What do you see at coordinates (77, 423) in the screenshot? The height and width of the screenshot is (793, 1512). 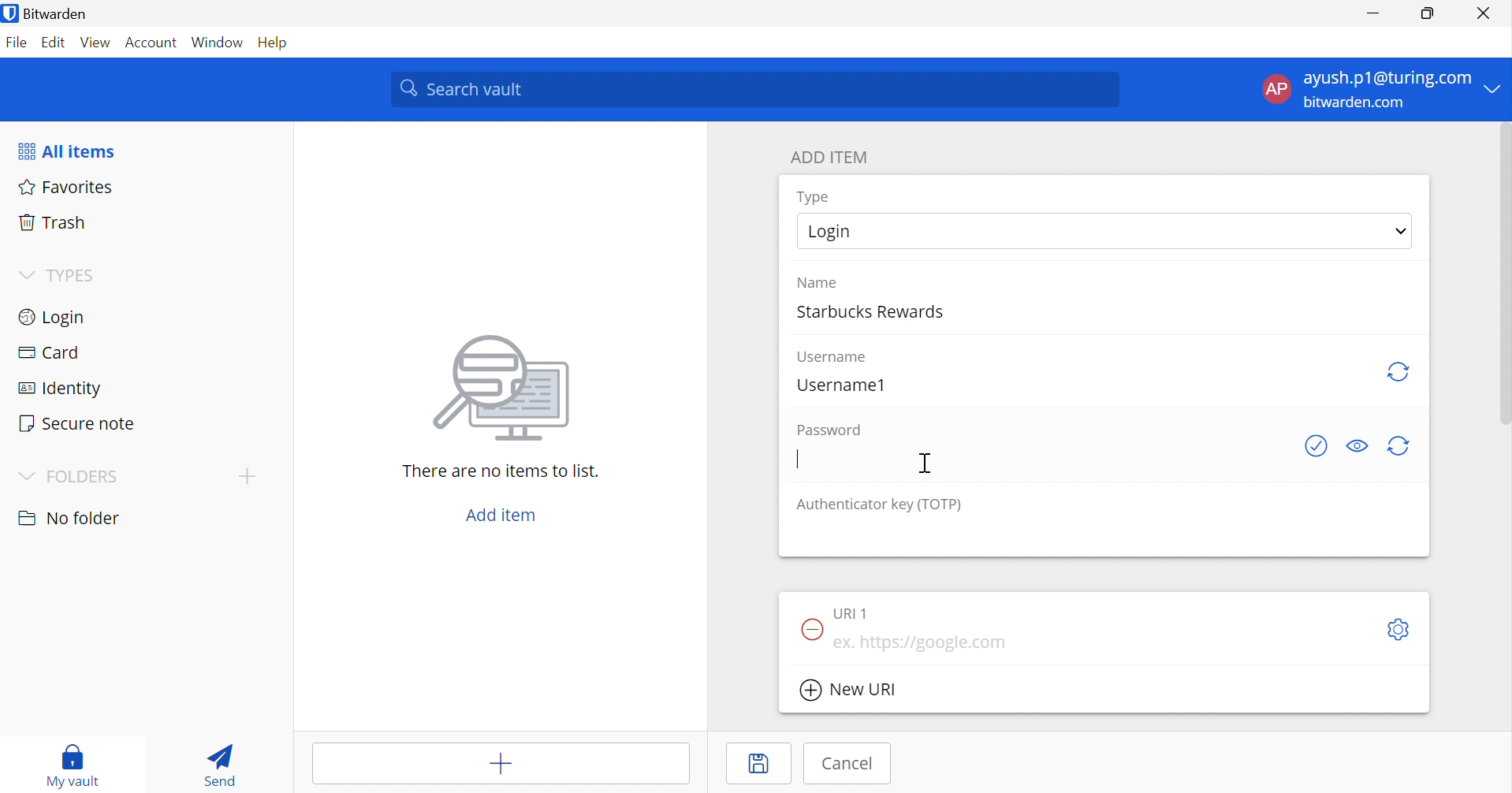 I see `Secure note` at bounding box center [77, 423].